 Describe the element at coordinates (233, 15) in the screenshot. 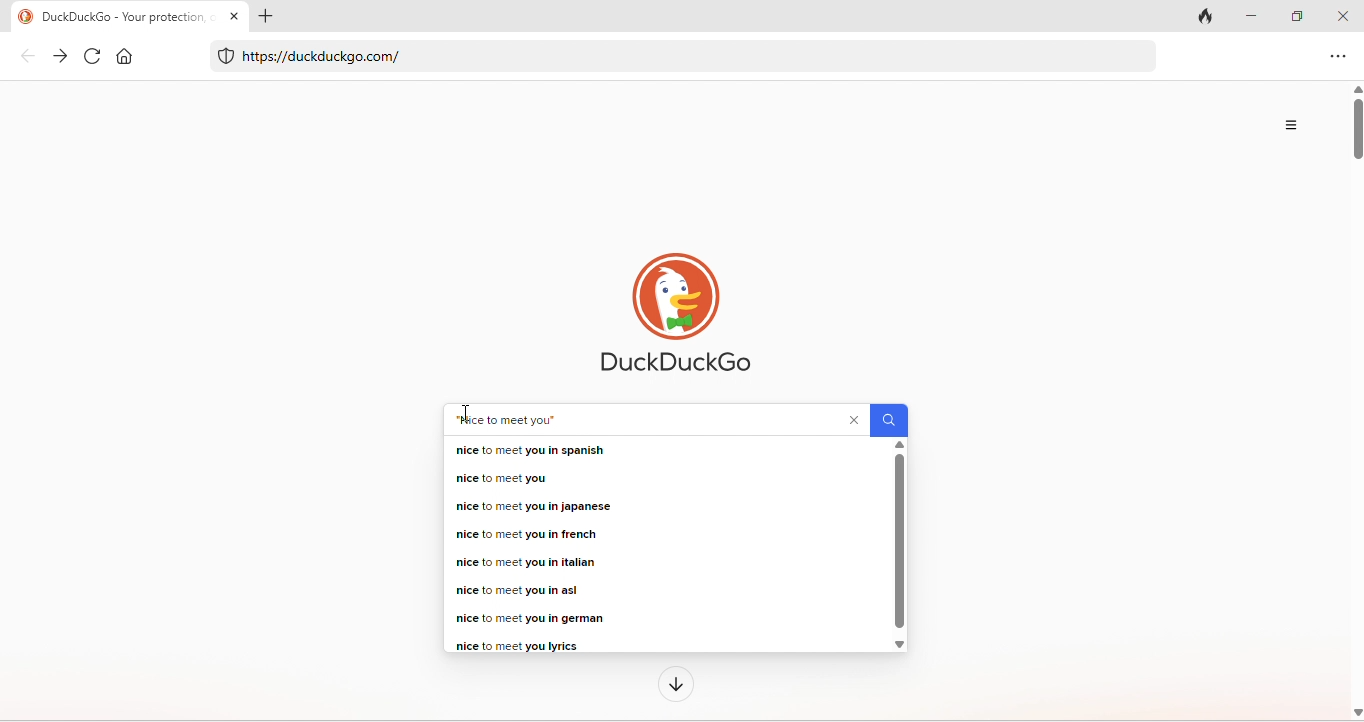

I see `close` at that location.